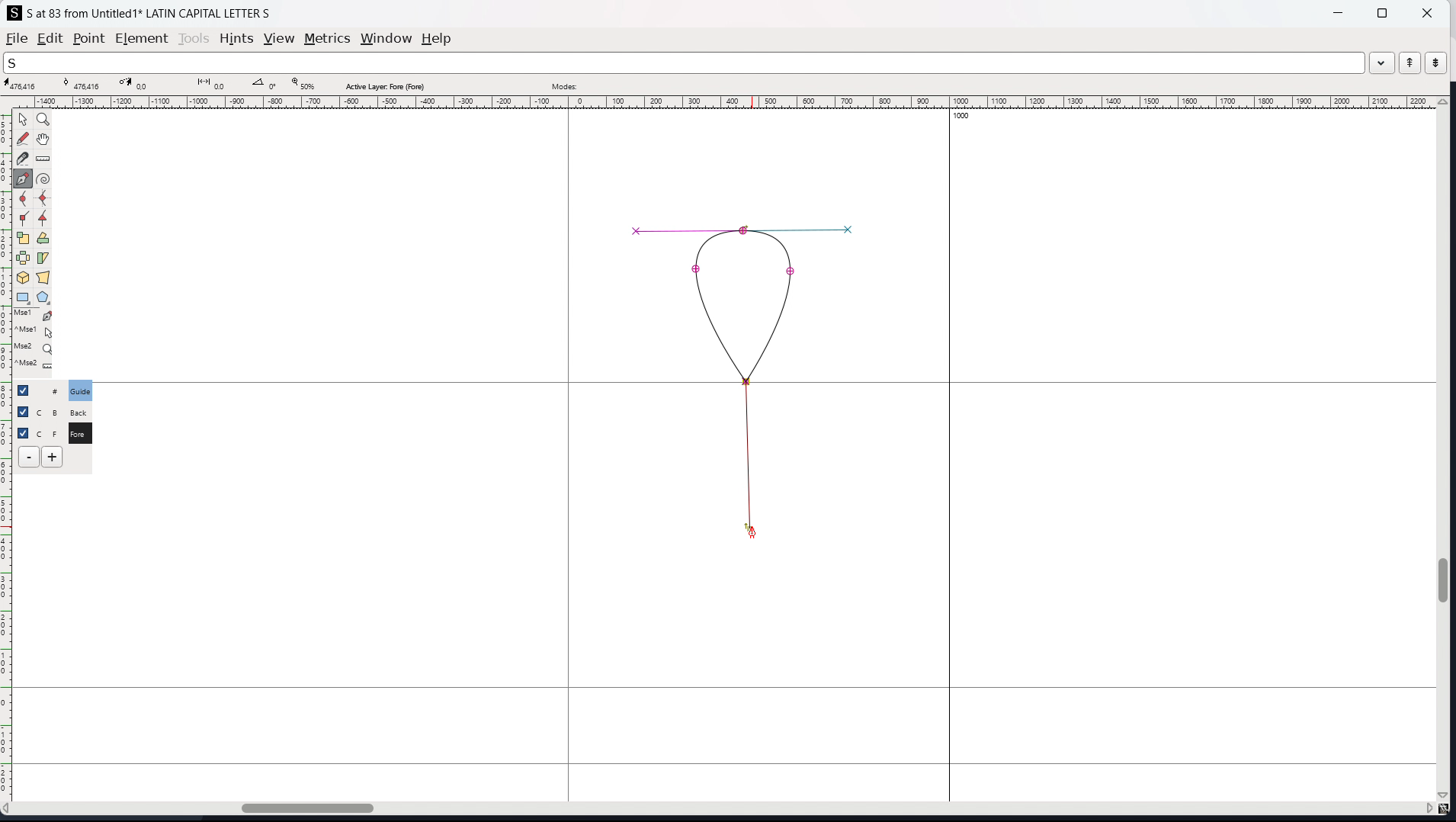  What do you see at coordinates (966, 117) in the screenshot?
I see `1000` at bounding box center [966, 117].